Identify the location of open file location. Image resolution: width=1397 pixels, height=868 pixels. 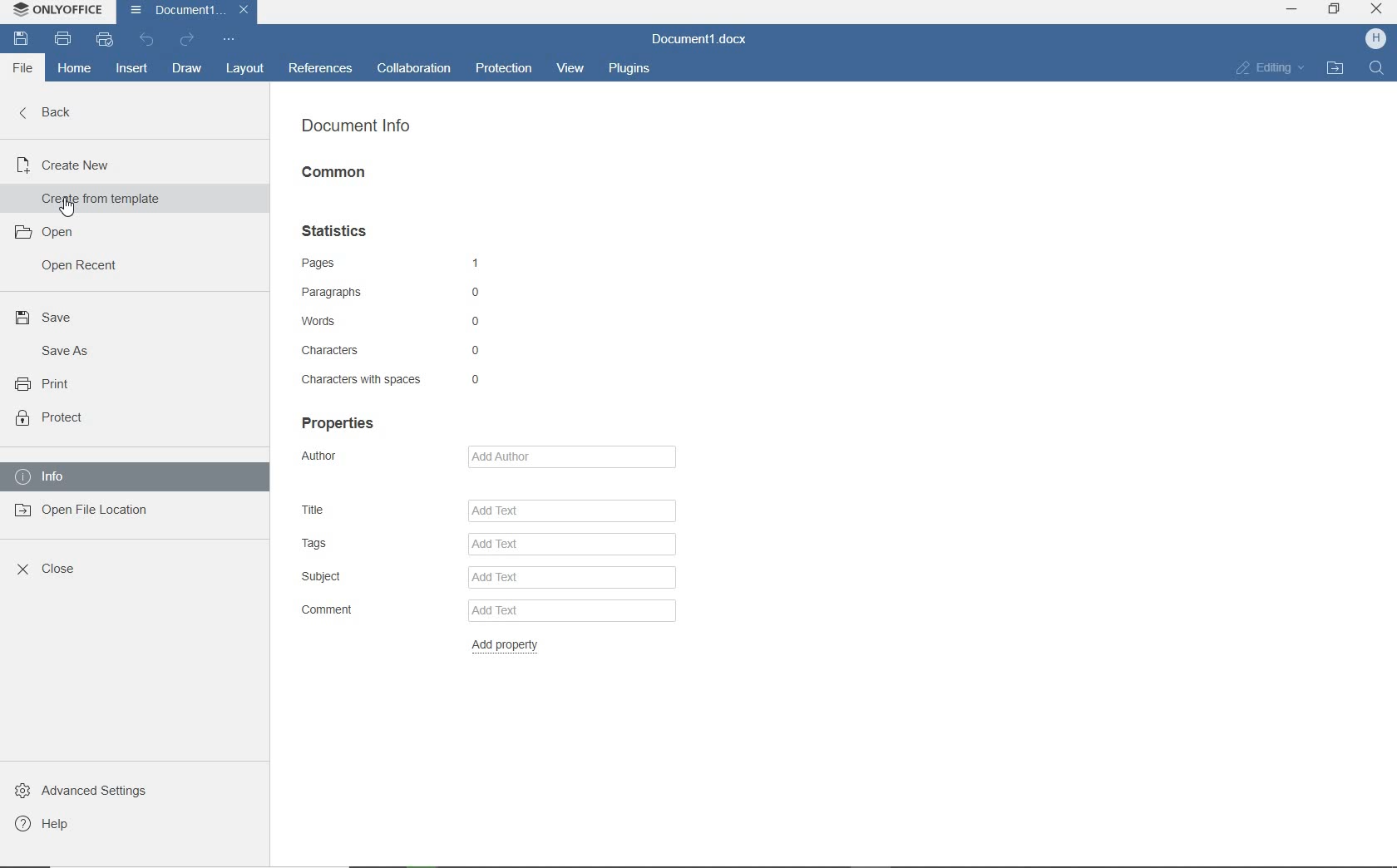
(1336, 70).